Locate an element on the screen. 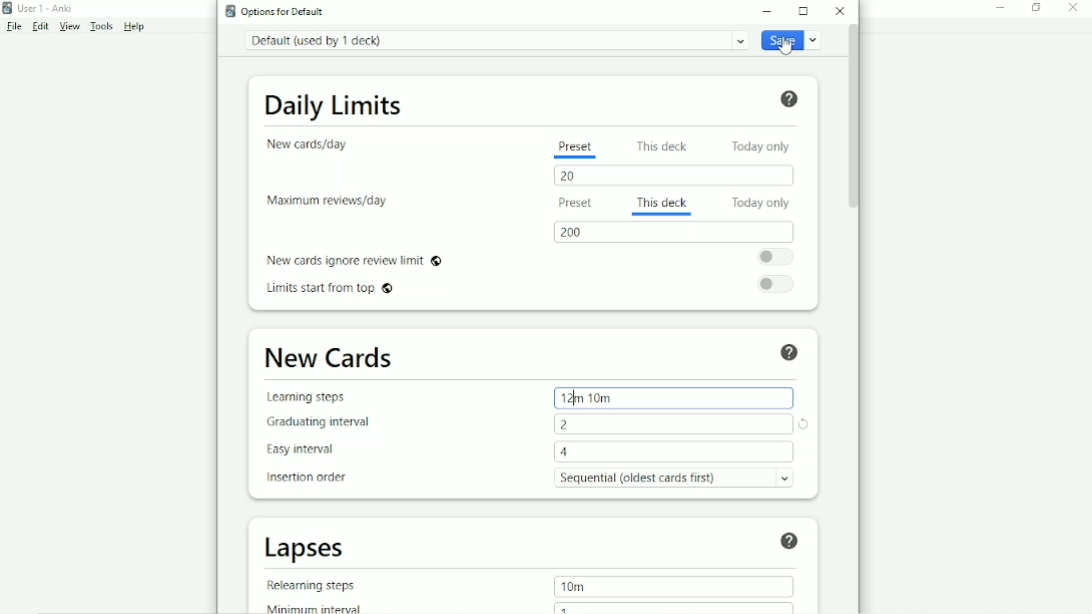 The height and width of the screenshot is (614, 1092). Help is located at coordinates (135, 27).